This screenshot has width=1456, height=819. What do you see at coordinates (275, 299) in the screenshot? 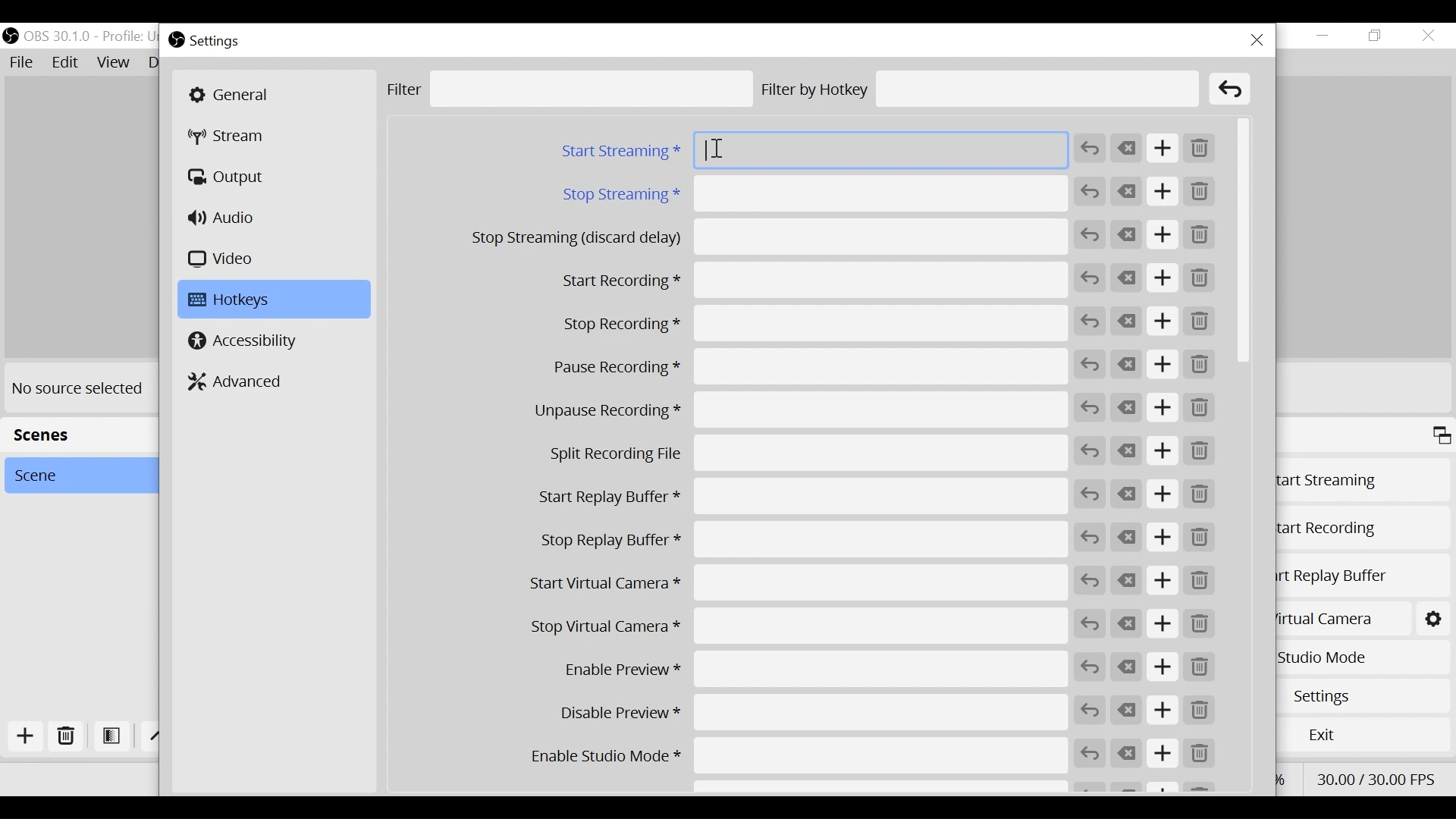
I see `Hotkeys` at bounding box center [275, 299].